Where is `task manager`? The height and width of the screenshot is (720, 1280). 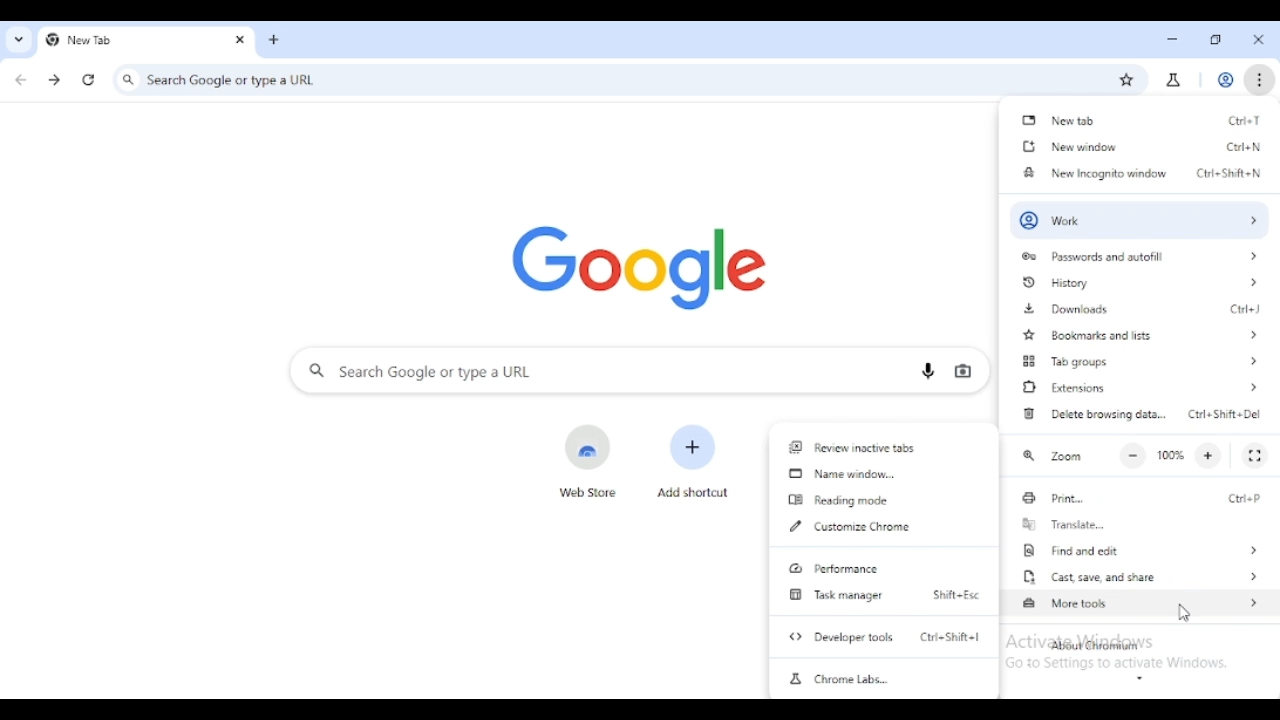
task manager is located at coordinates (835, 595).